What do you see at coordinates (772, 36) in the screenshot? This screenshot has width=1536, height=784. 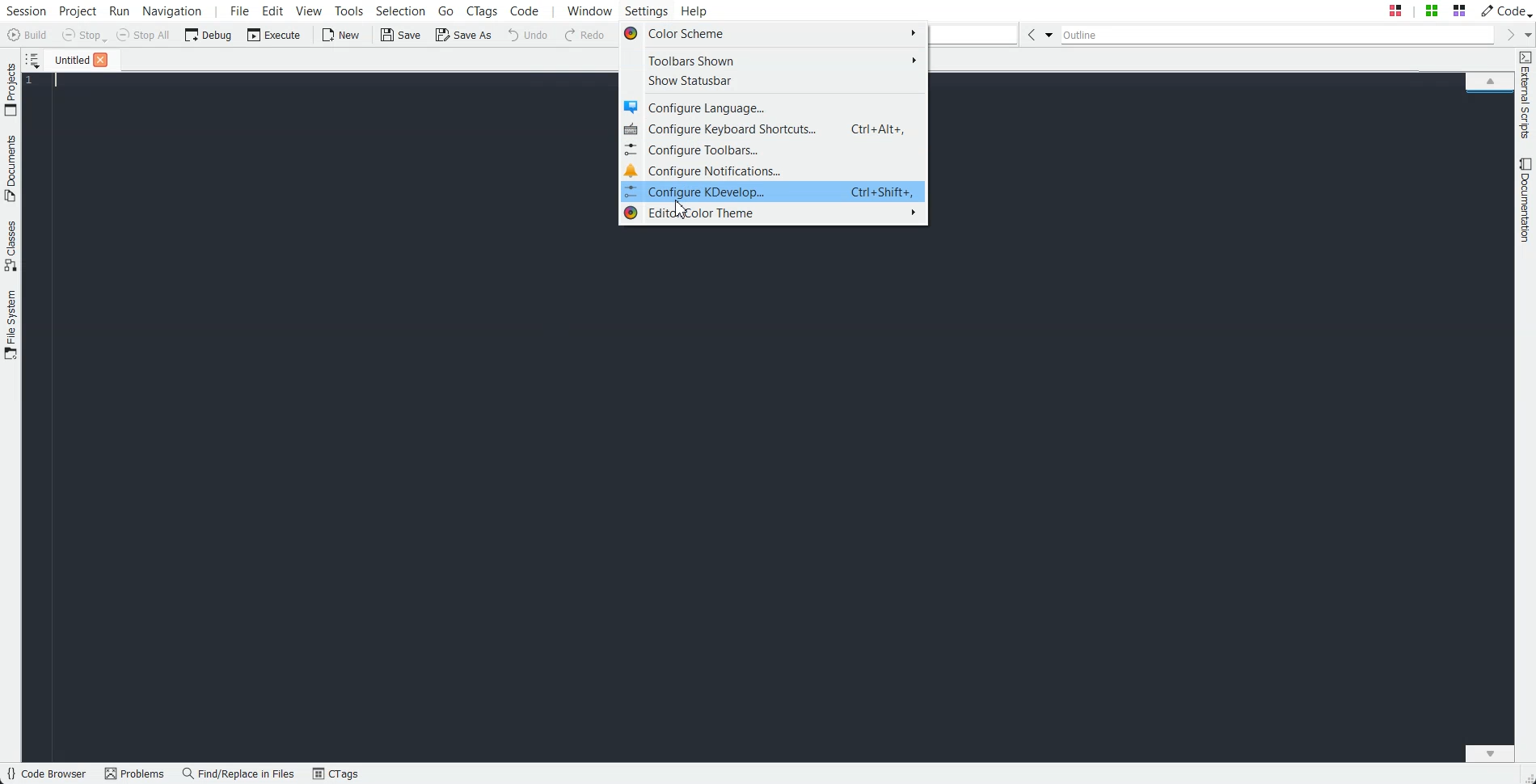 I see `Color Scheme` at bounding box center [772, 36].